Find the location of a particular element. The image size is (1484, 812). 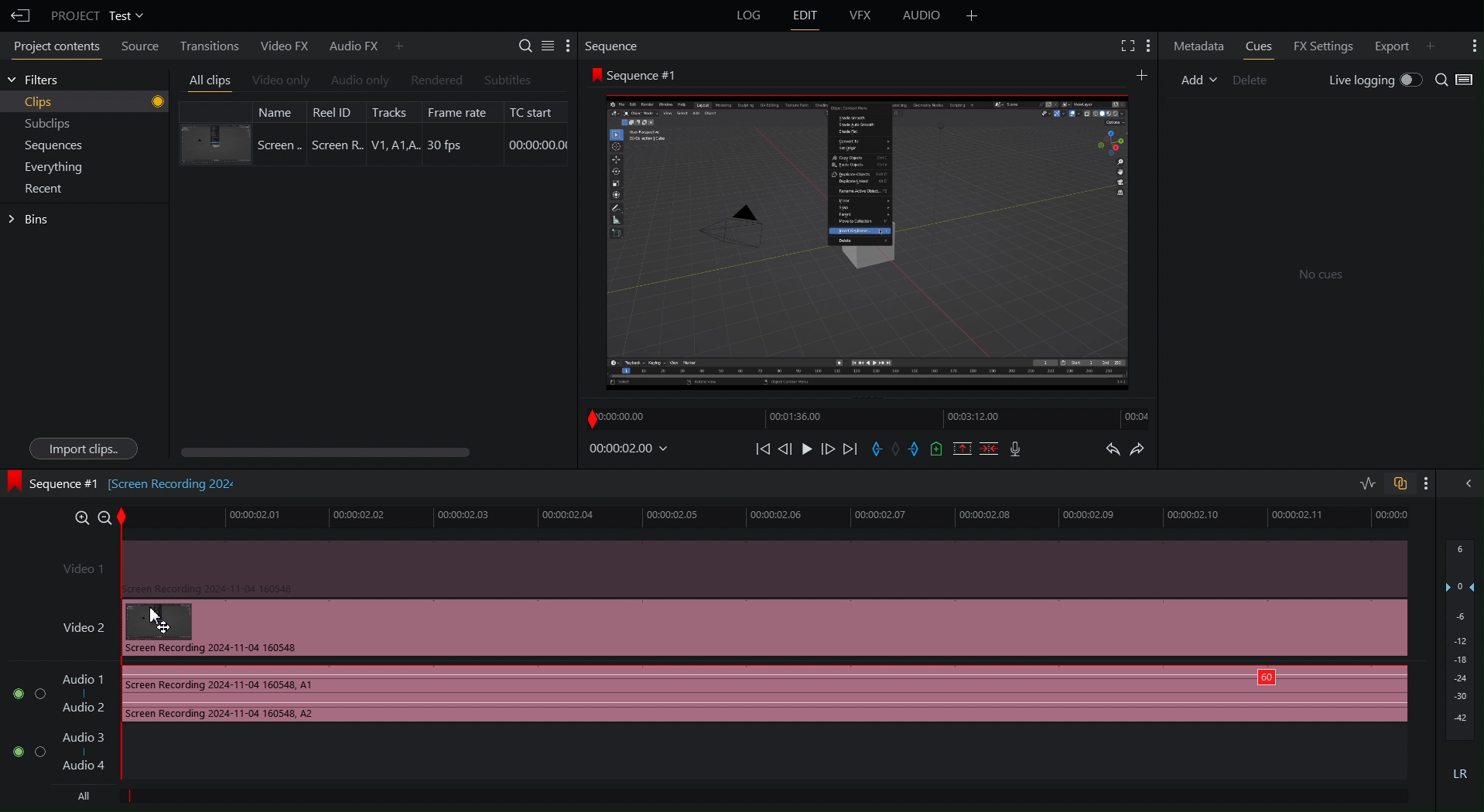

Rendered is located at coordinates (433, 80).